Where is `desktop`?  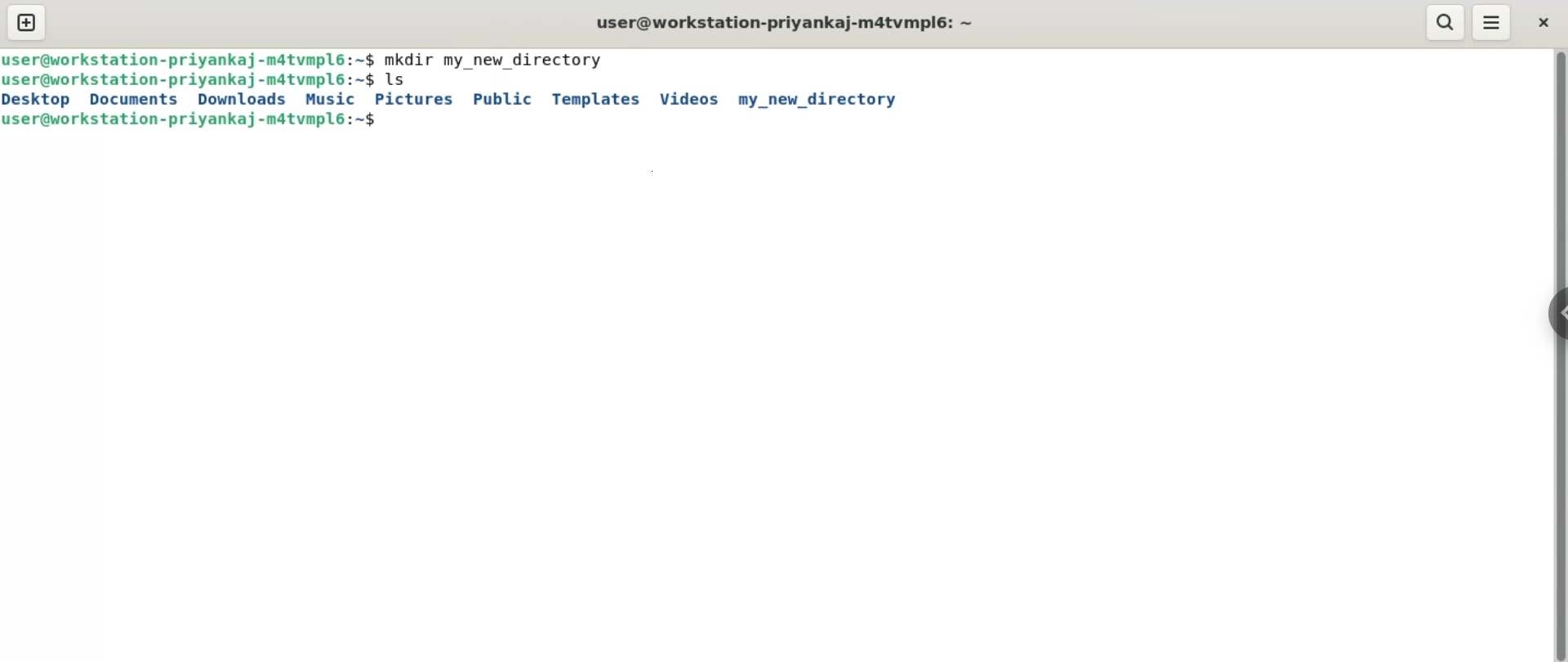 desktop is located at coordinates (39, 100).